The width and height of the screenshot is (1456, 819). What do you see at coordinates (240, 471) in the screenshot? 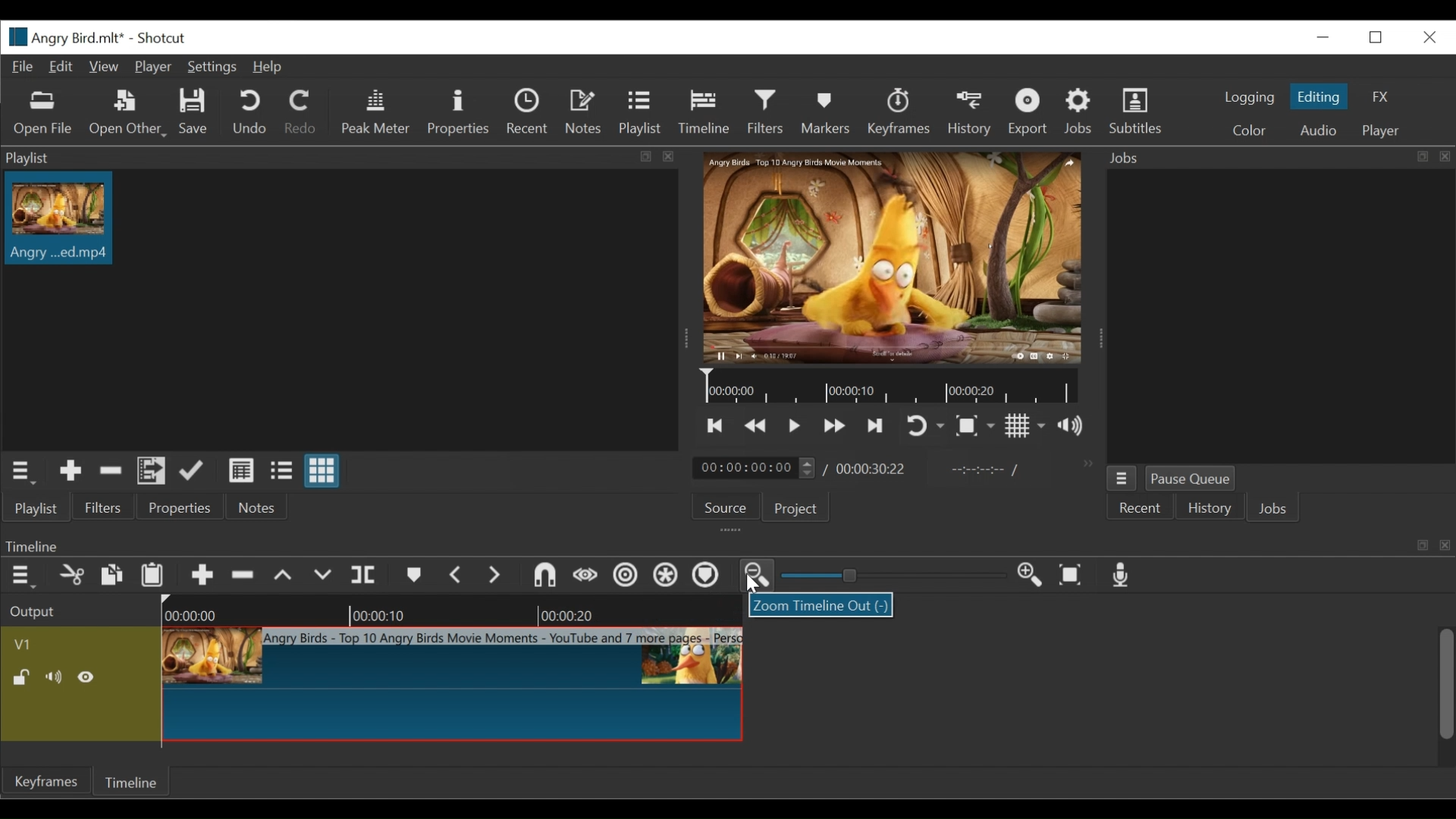
I see `View as detail` at bounding box center [240, 471].